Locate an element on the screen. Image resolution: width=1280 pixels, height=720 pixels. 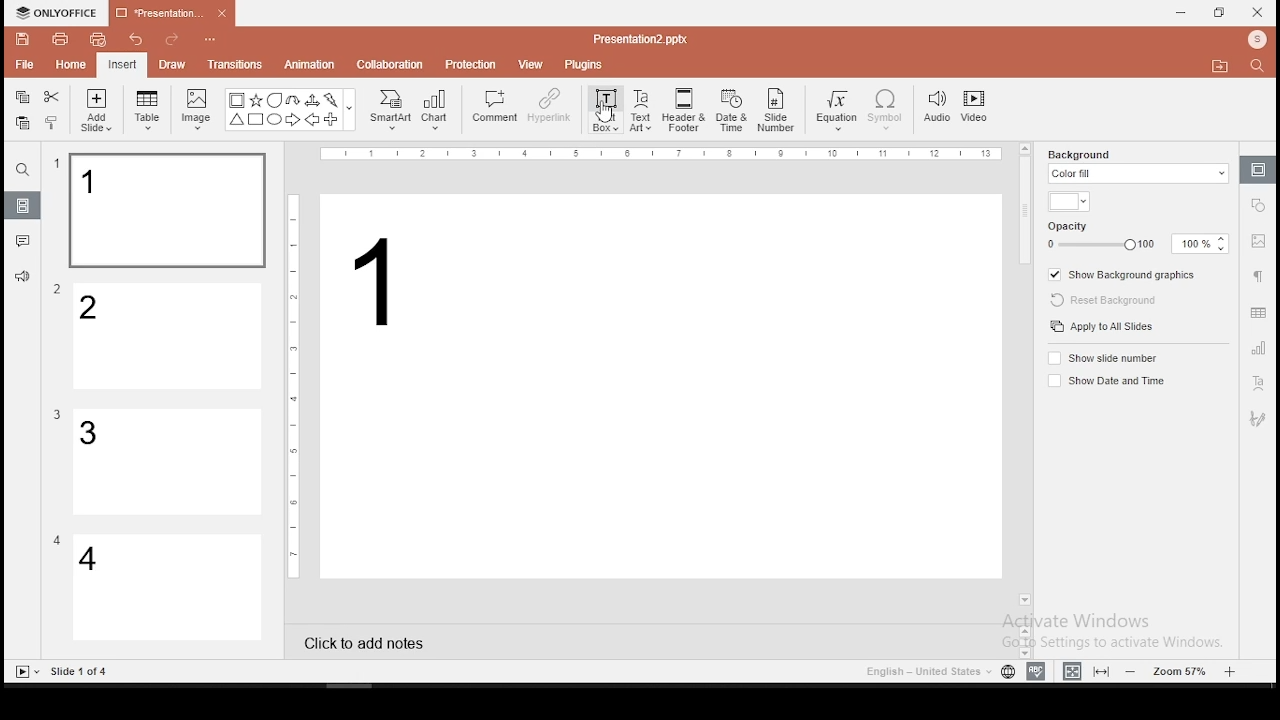
 is located at coordinates (665, 155).